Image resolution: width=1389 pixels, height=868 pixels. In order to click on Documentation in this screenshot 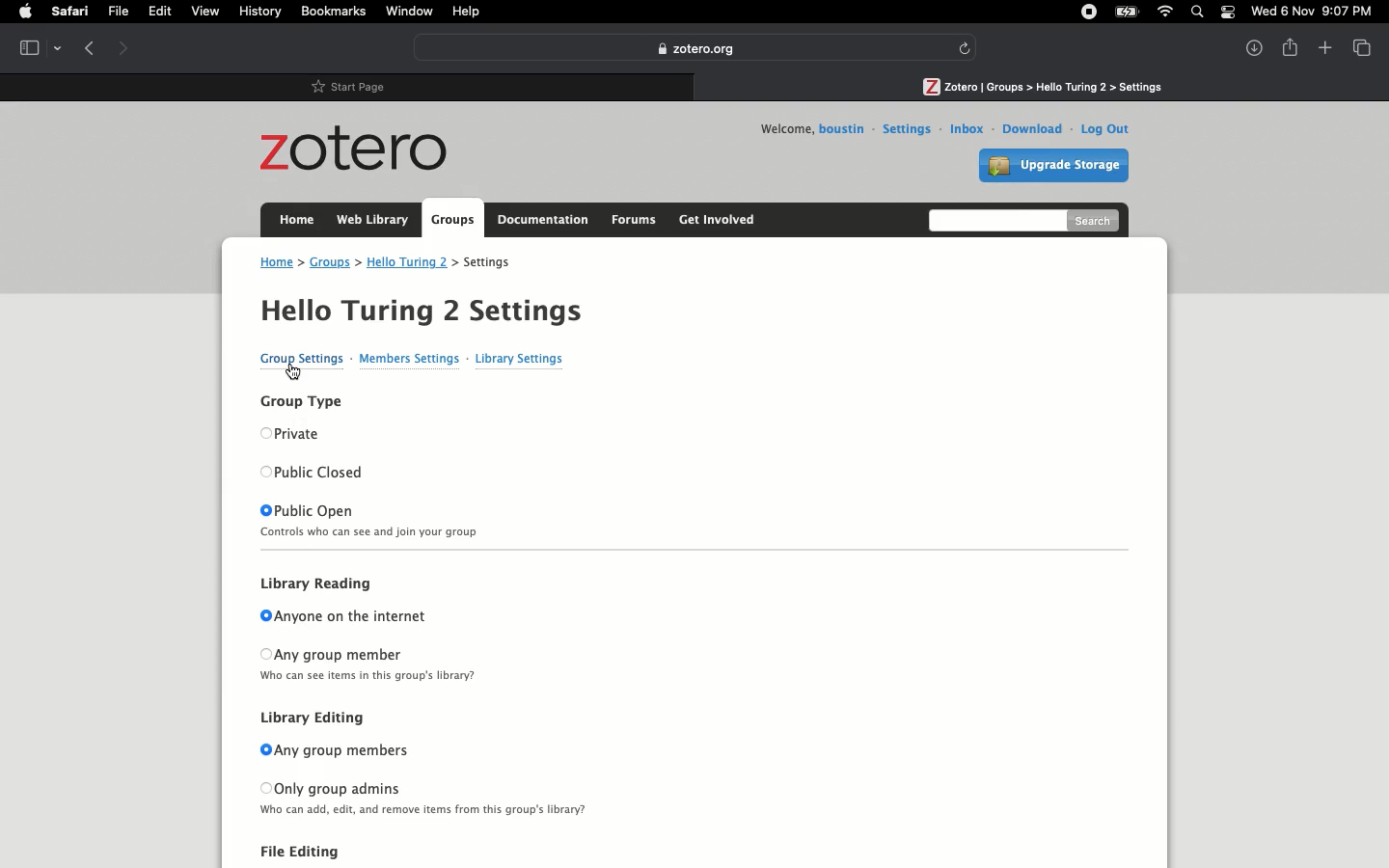, I will do `click(543, 220)`.